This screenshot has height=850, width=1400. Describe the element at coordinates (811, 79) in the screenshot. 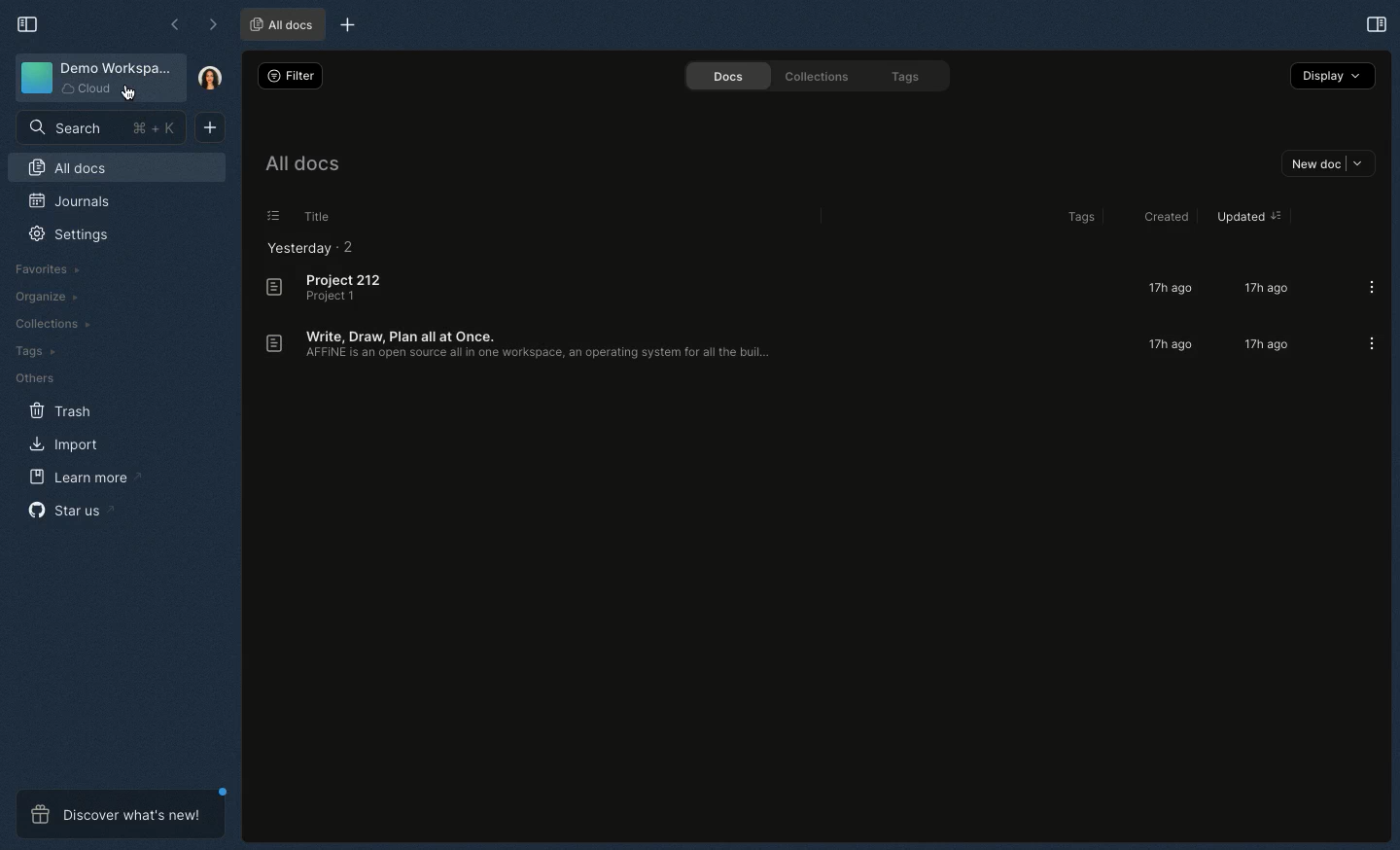

I see `Collections` at that location.